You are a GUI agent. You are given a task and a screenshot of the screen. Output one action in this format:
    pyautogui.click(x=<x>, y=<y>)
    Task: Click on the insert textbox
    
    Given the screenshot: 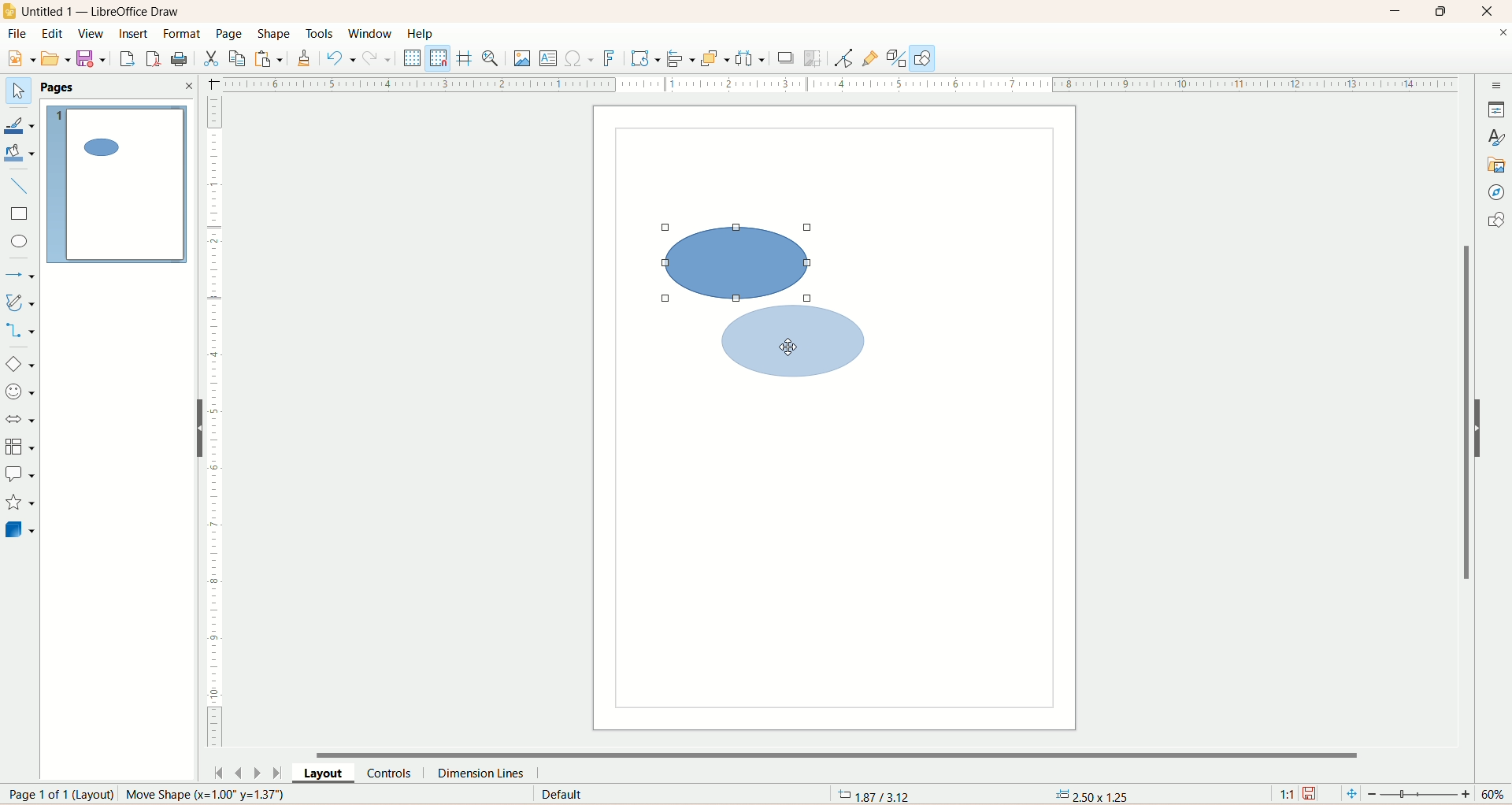 What is the action you would take?
    pyautogui.click(x=547, y=58)
    